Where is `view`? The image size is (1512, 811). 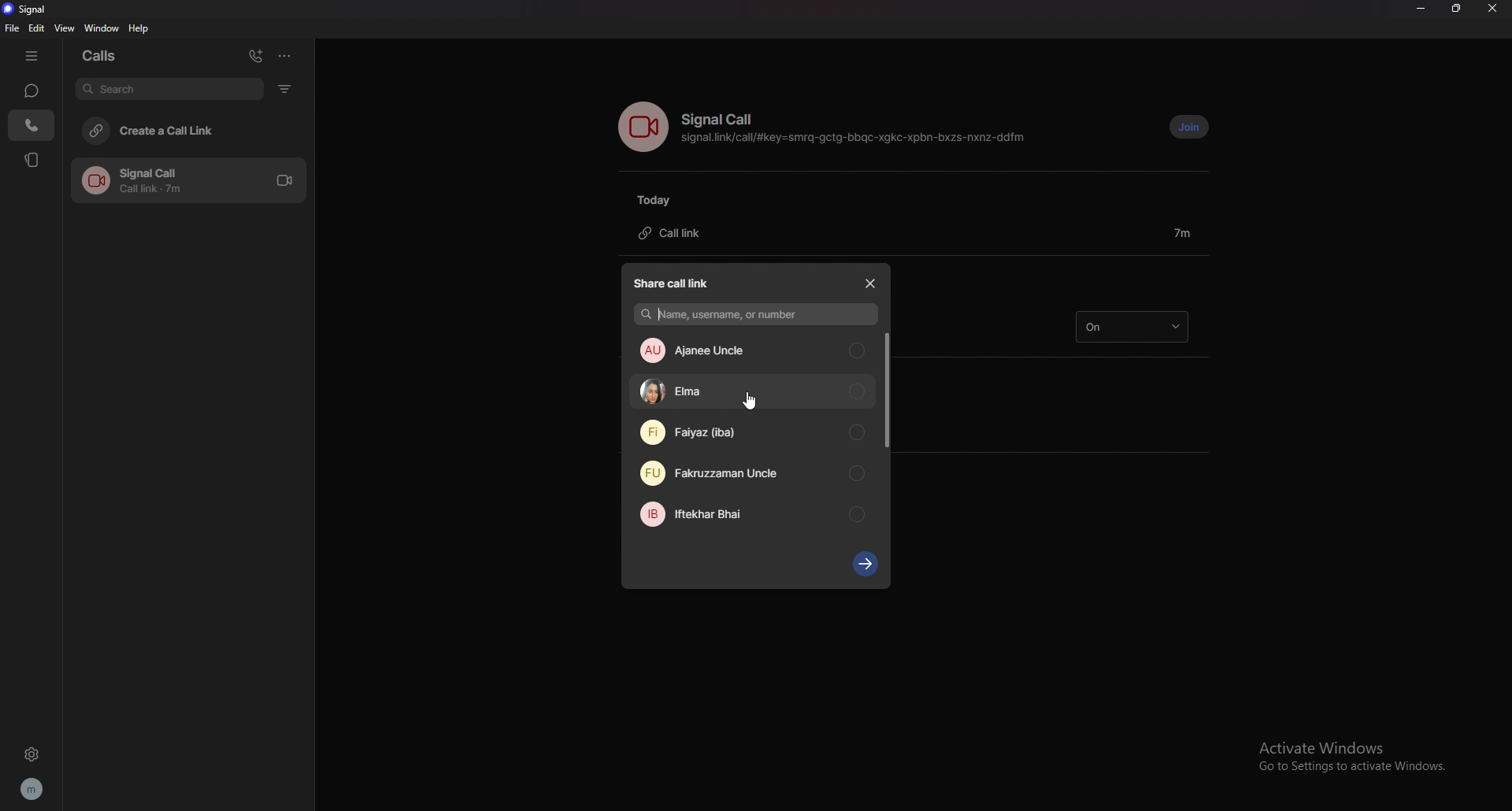
view is located at coordinates (64, 28).